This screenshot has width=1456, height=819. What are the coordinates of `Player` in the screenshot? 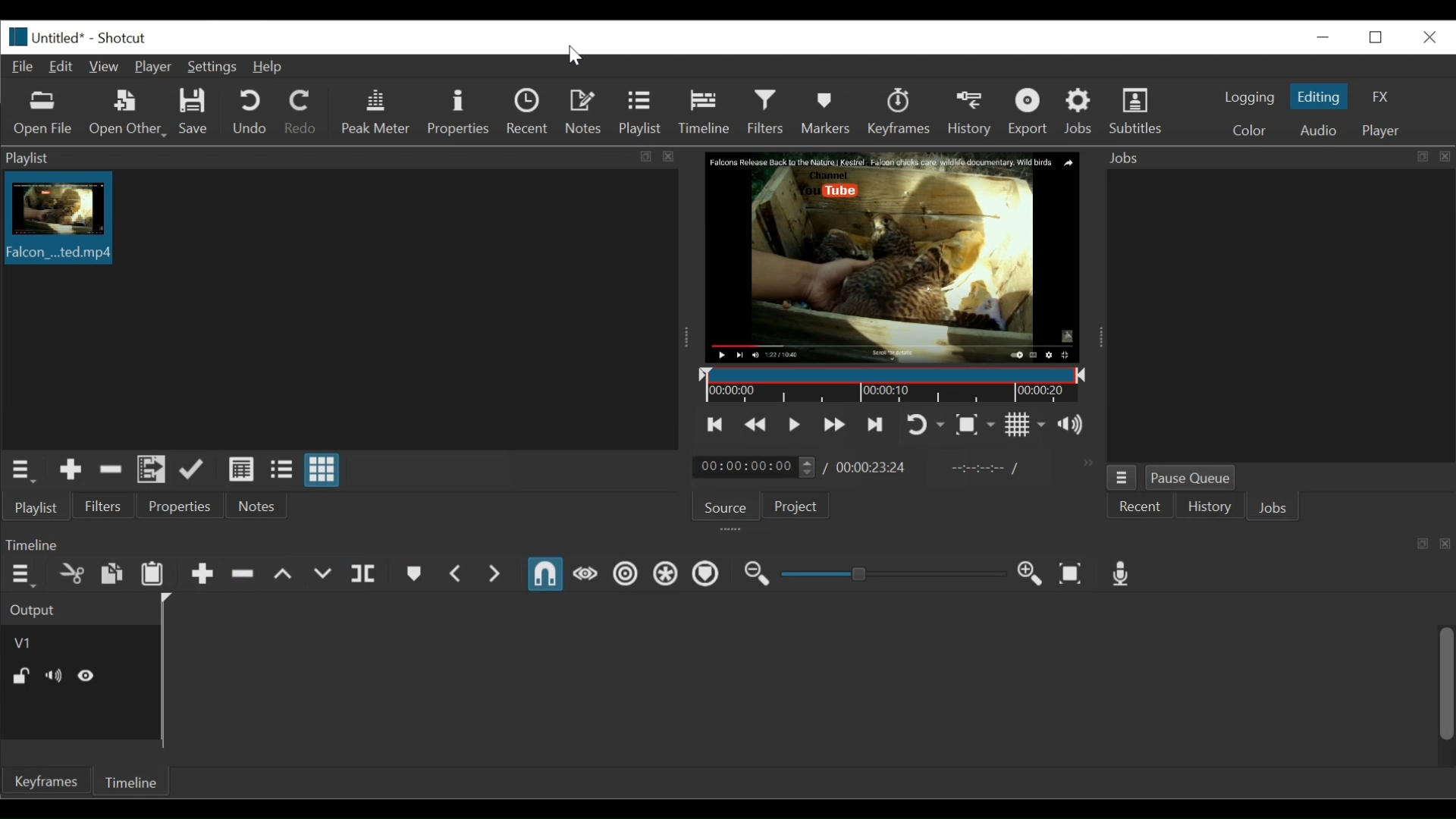 It's located at (1379, 130).